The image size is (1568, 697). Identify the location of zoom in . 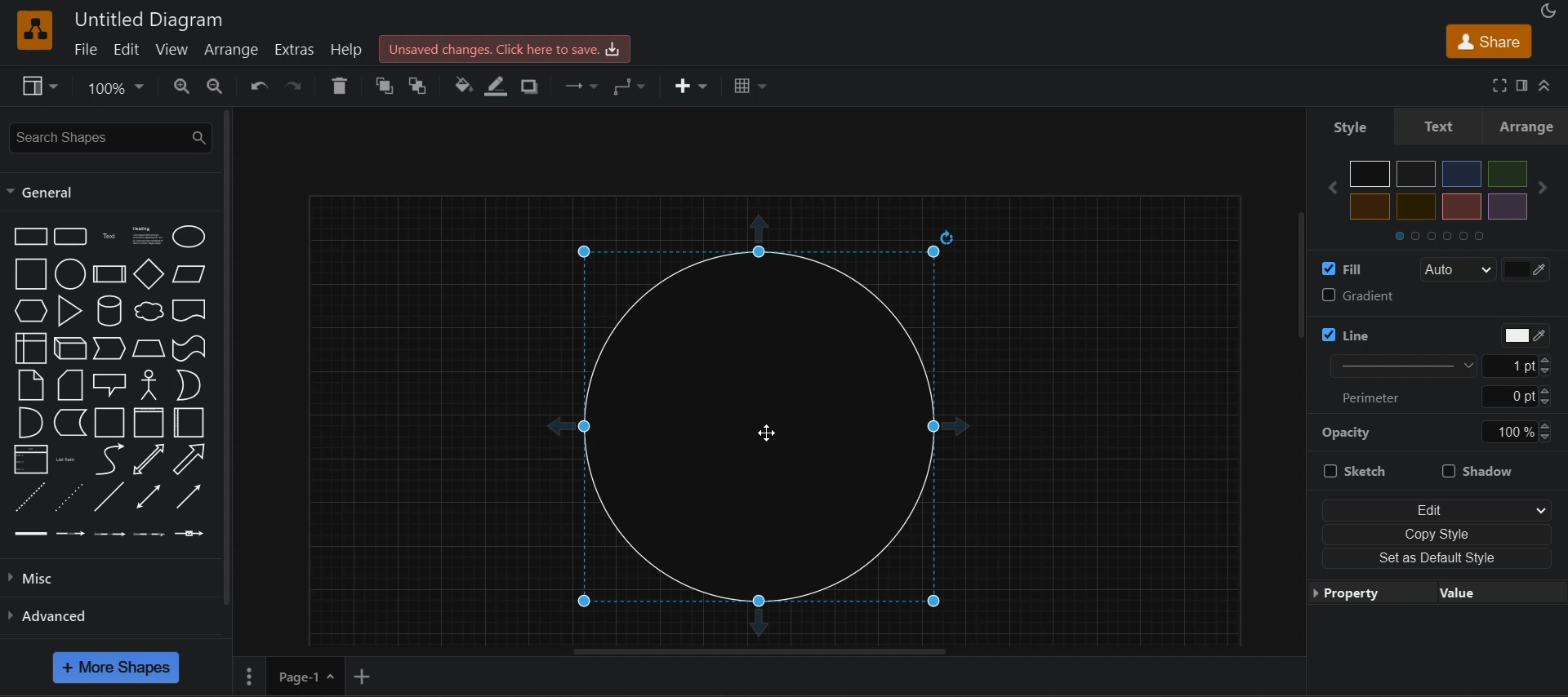
(181, 87).